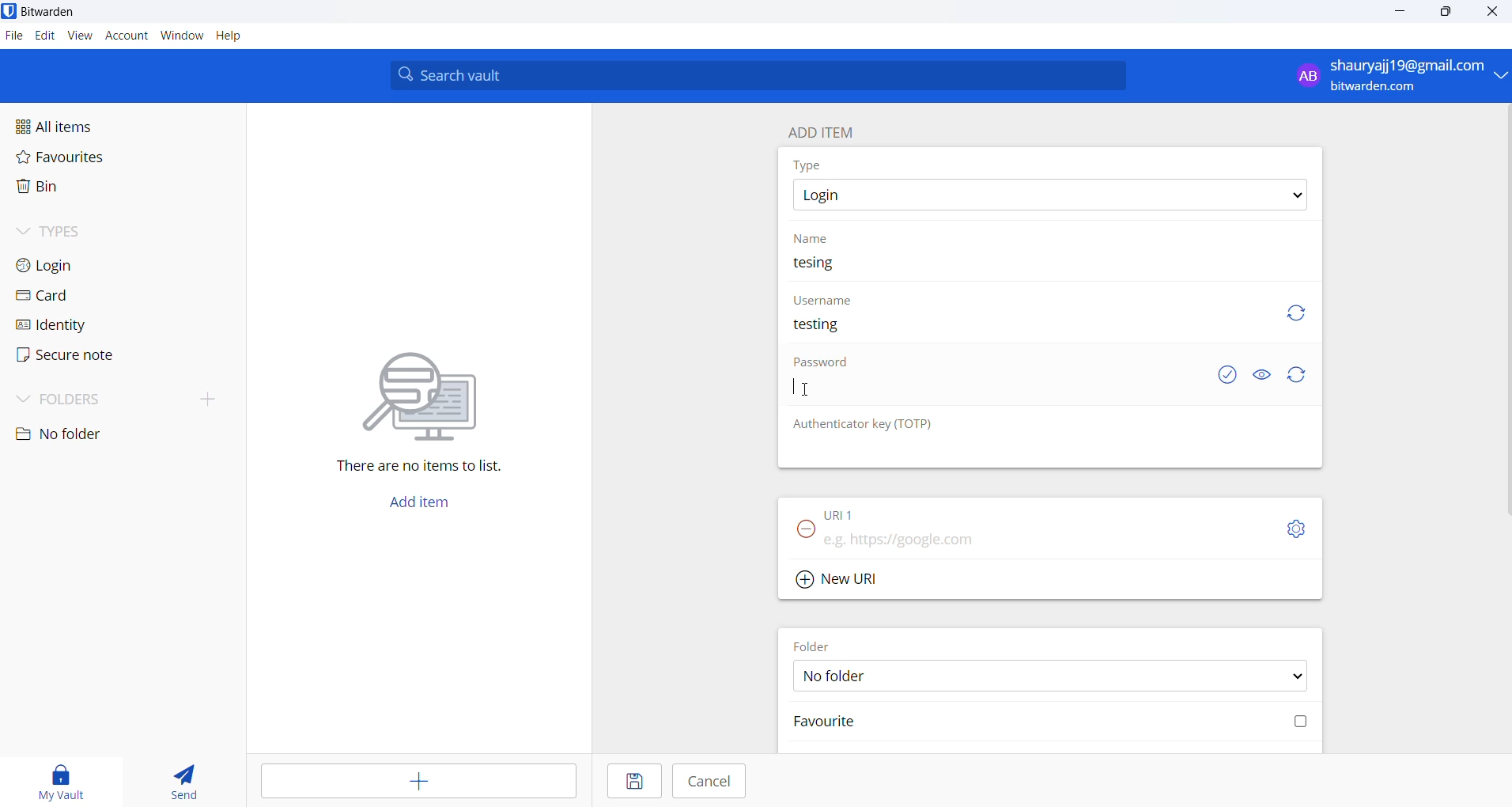 The height and width of the screenshot is (807, 1512). Describe the element at coordinates (1057, 675) in the screenshot. I see `FOLDER OPTIONS` at that location.